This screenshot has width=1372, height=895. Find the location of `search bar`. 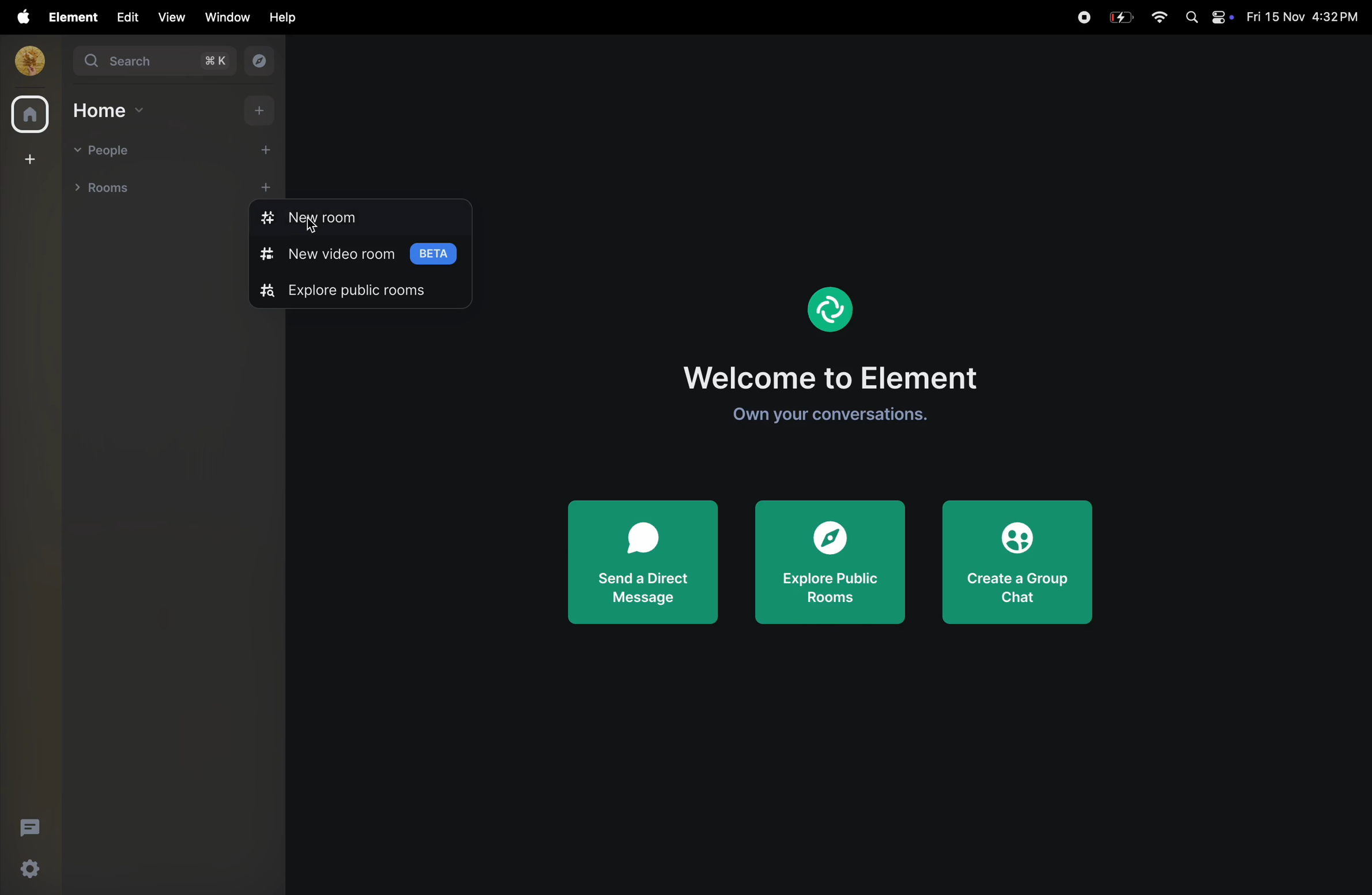

search bar is located at coordinates (156, 63).